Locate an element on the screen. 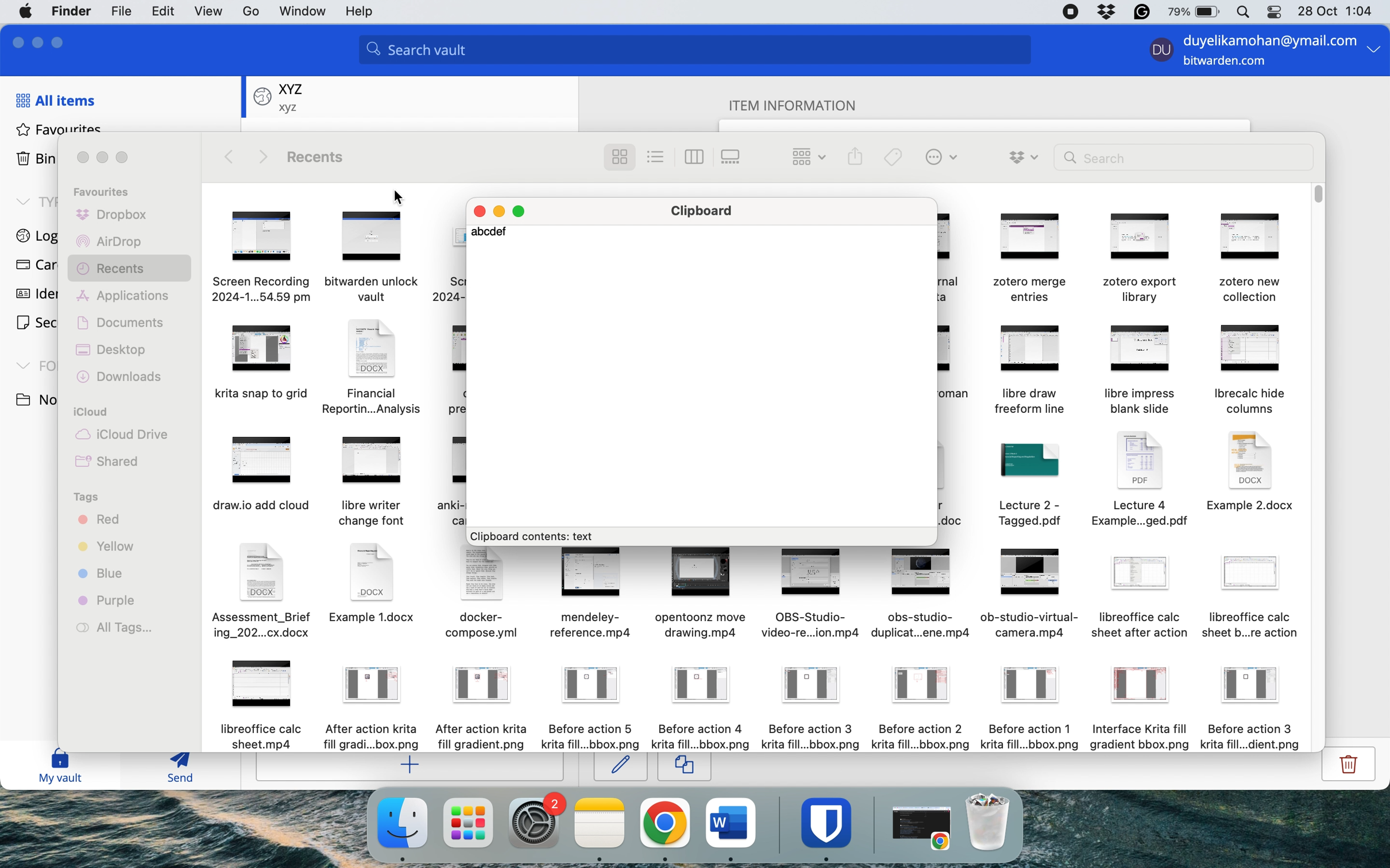  recents is located at coordinates (130, 271).